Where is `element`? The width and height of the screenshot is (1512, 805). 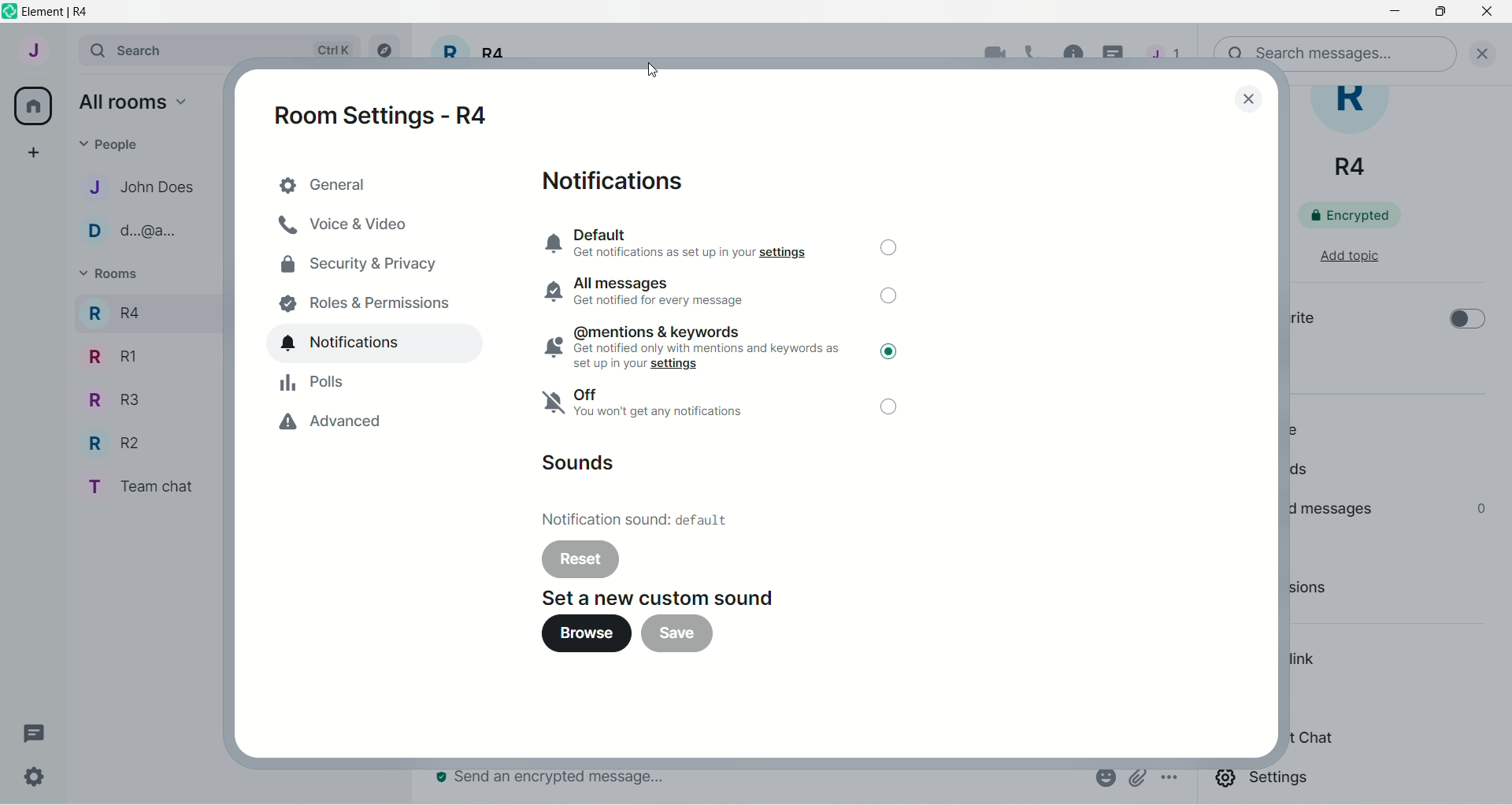 element is located at coordinates (61, 12).